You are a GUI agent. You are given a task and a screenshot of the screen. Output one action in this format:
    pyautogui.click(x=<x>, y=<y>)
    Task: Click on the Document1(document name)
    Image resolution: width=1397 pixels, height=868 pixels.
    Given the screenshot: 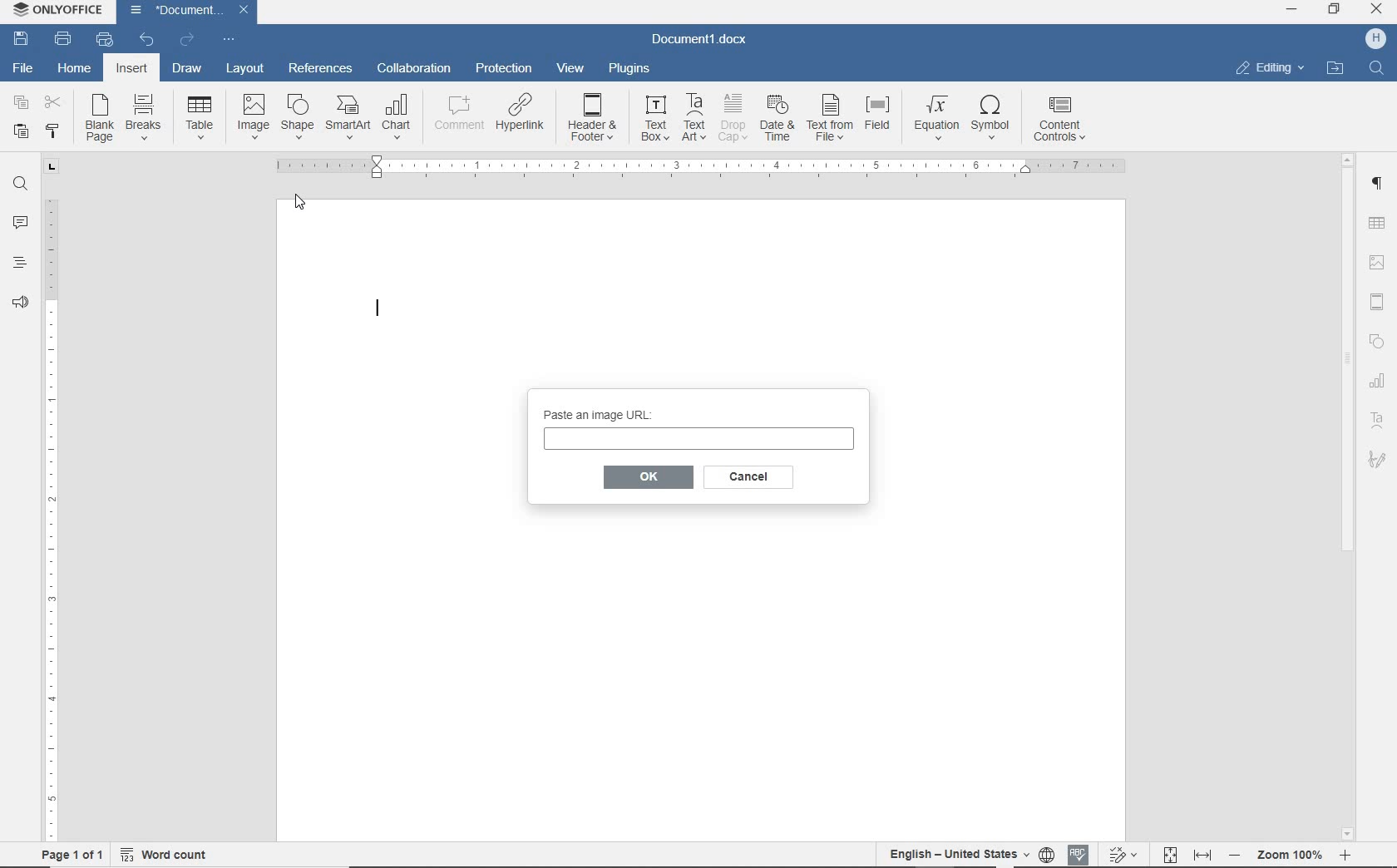 What is the action you would take?
    pyautogui.click(x=191, y=11)
    